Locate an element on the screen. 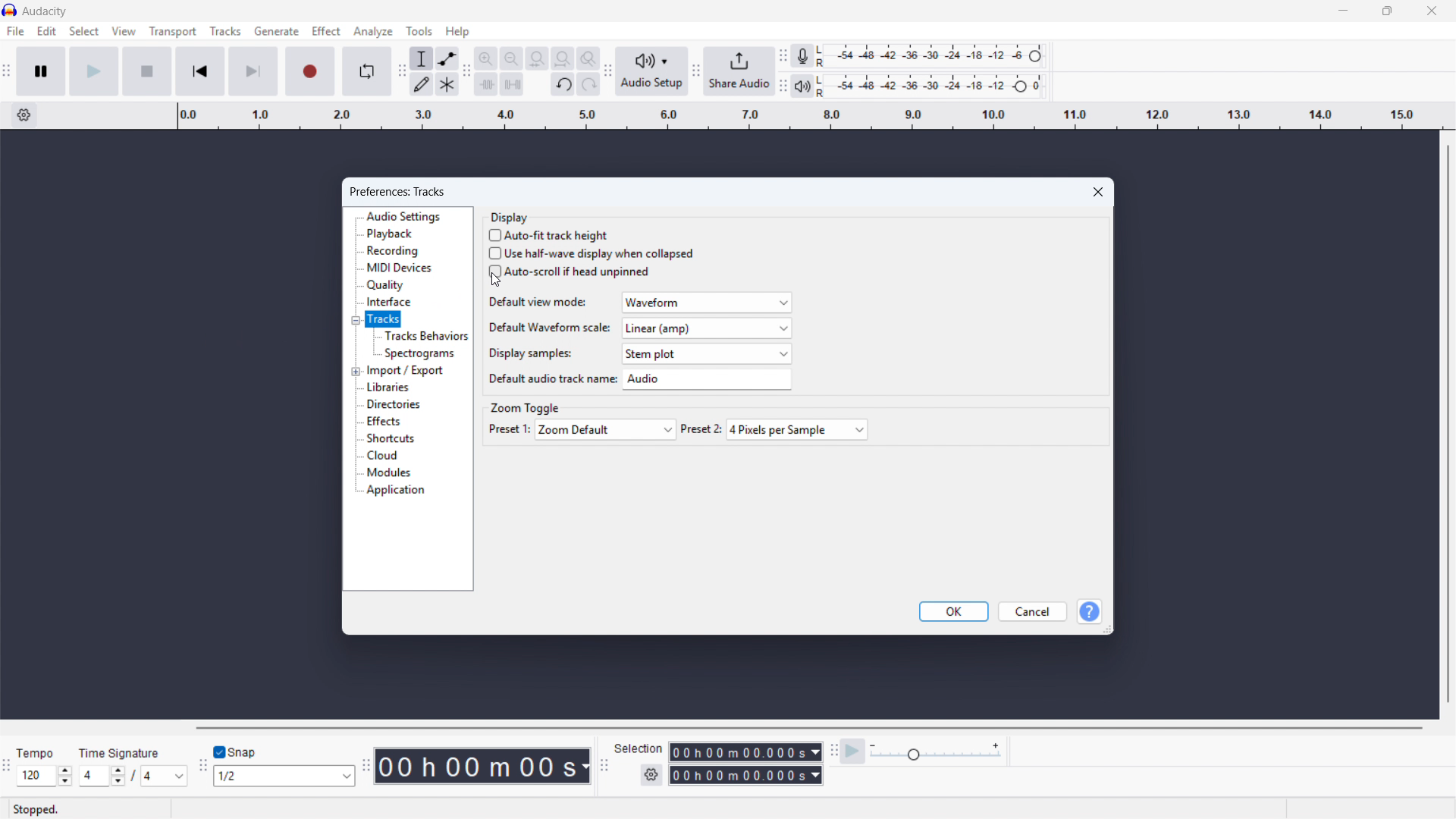 The height and width of the screenshot is (819, 1456). multi tool is located at coordinates (447, 83).